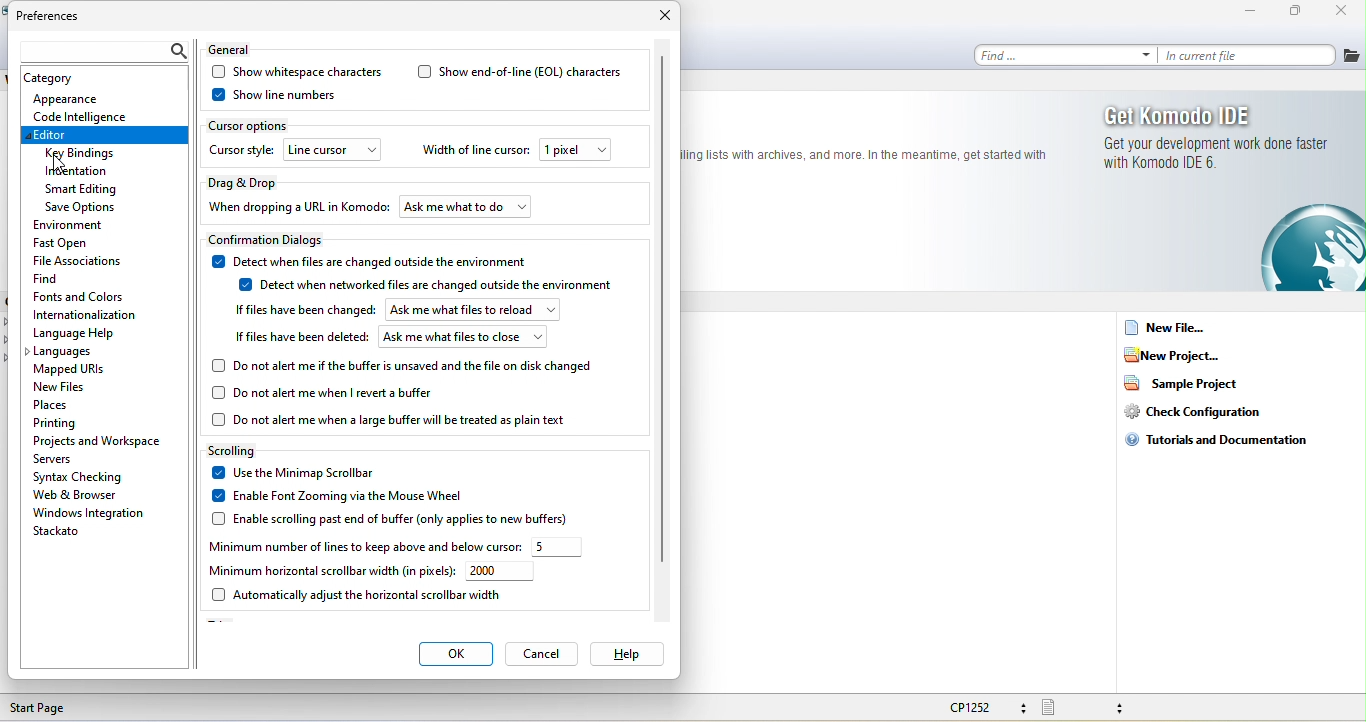  What do you see at coordinates (80, 171) in the screenshot?
I see `indentation` at bounding box center [80, 171].